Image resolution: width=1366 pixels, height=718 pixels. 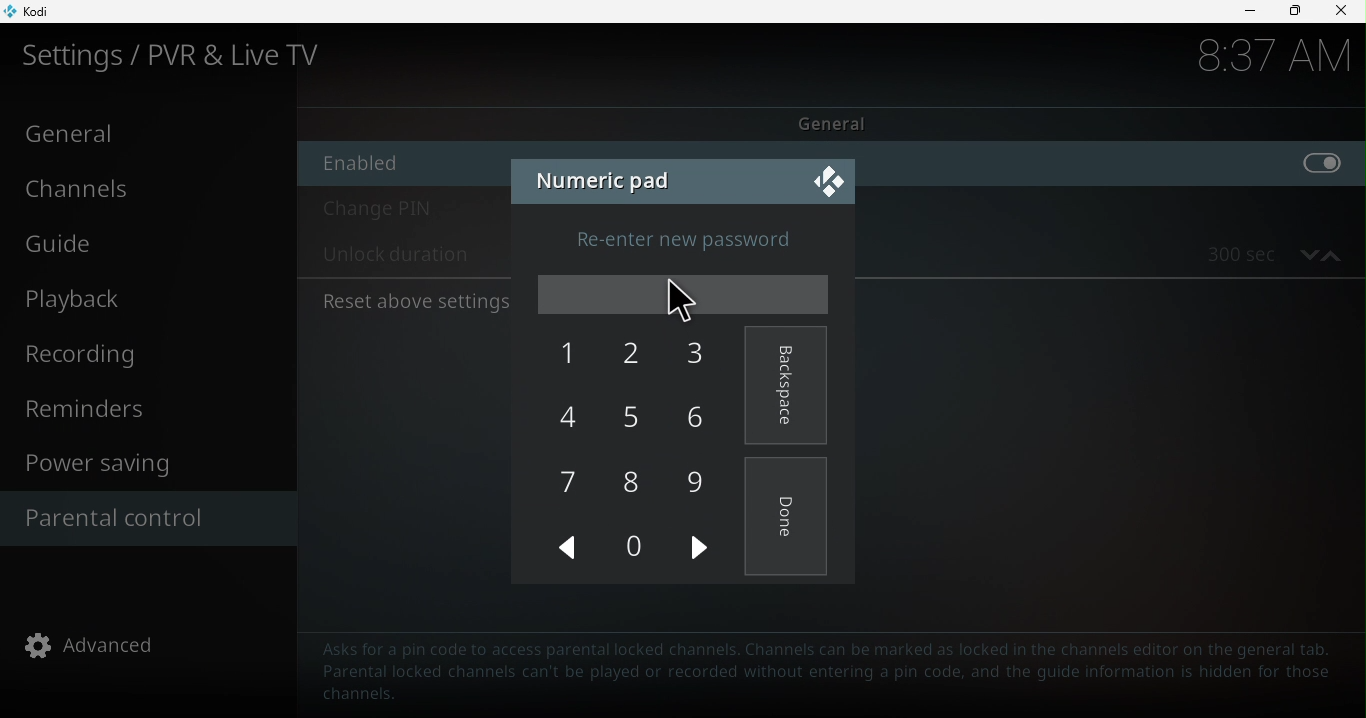 What do you see at coordinates (825, 181) in the screenshot?
I see `Close` at bounding box center [825, 181].